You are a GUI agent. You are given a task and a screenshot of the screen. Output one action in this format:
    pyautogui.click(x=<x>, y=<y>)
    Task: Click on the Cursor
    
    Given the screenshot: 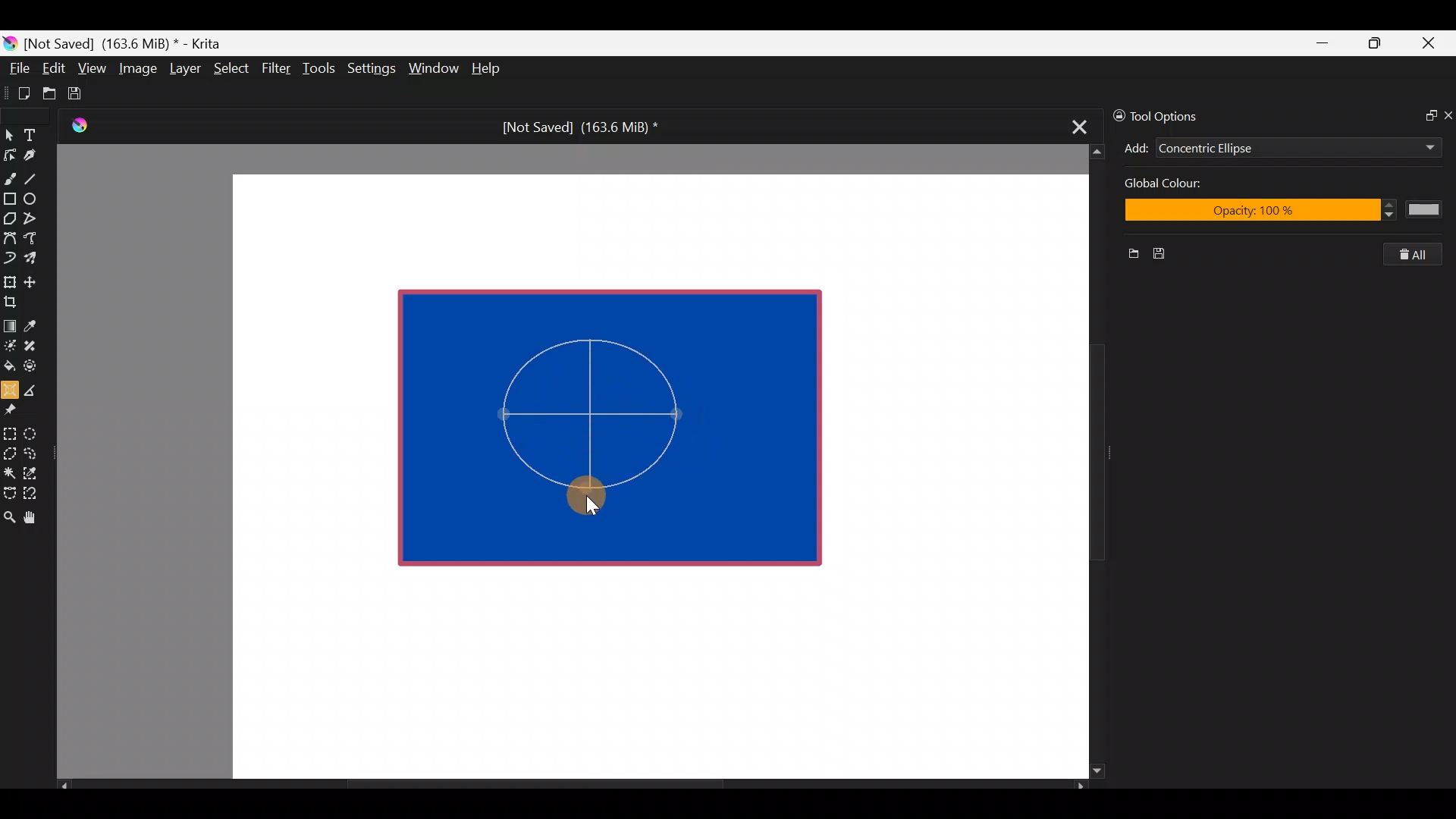 What is the action you would take?
    pyautogui.click(x=584, y=490)
    